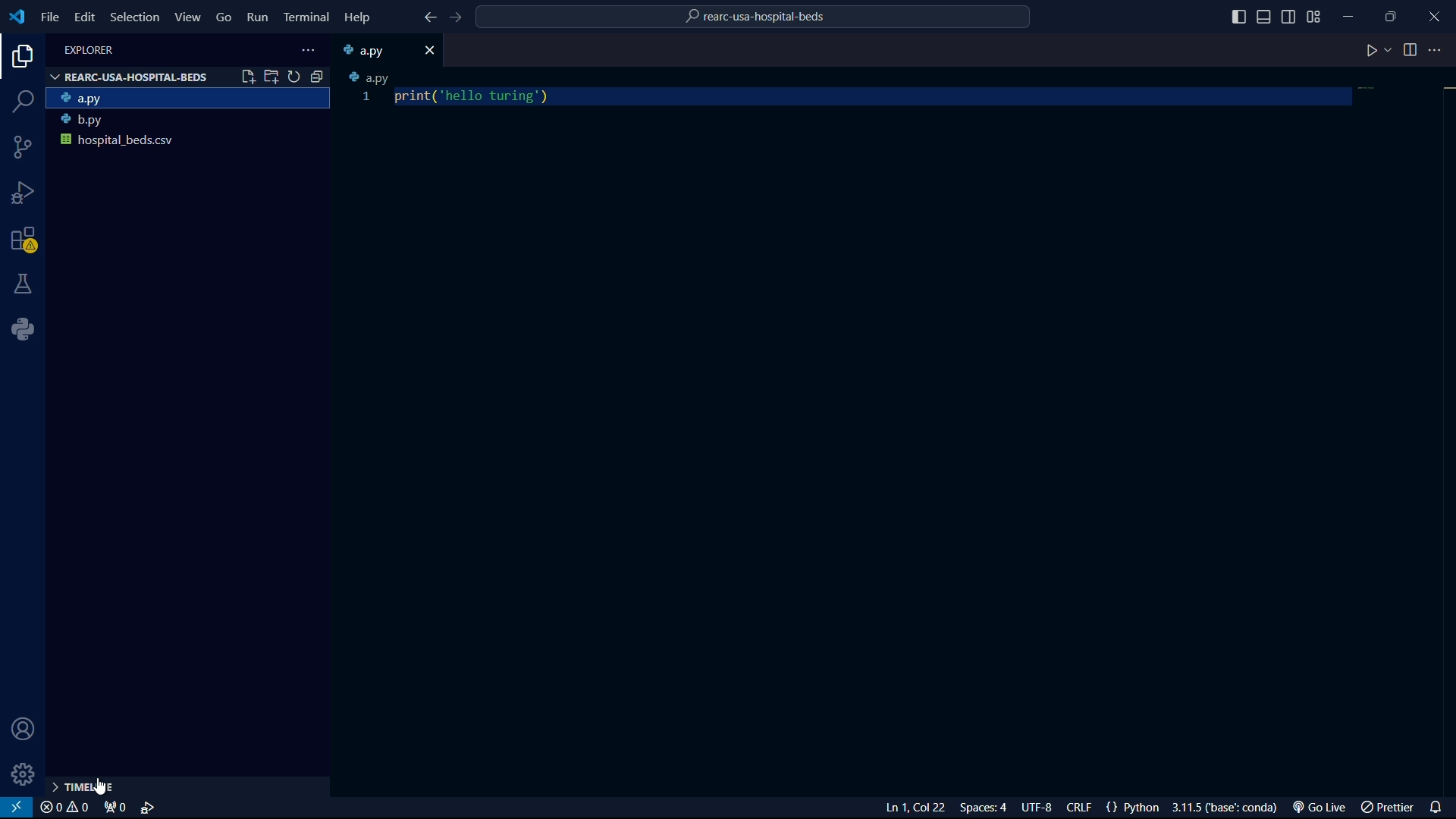 The height and width of the screenshot is (819, 1456). Describe the element at coordinates (917, 808) in the screenshot. I see `line and columns` at that location.